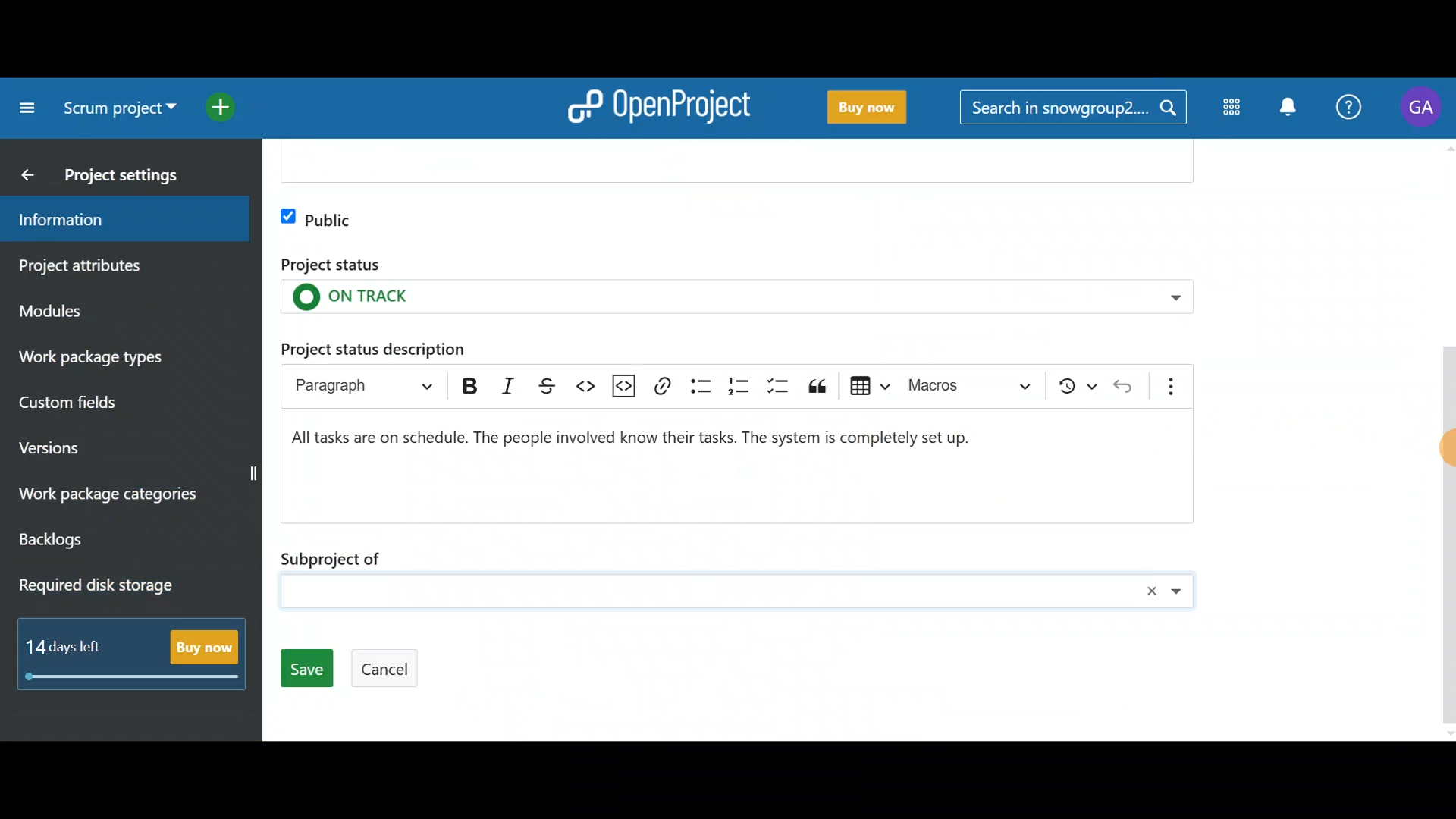 Image resolution: width=1456 pixels, height=819 pixels. Describe the element at coordinates (701, 388) in the screenshot. I see `Bulleted list` at that location.